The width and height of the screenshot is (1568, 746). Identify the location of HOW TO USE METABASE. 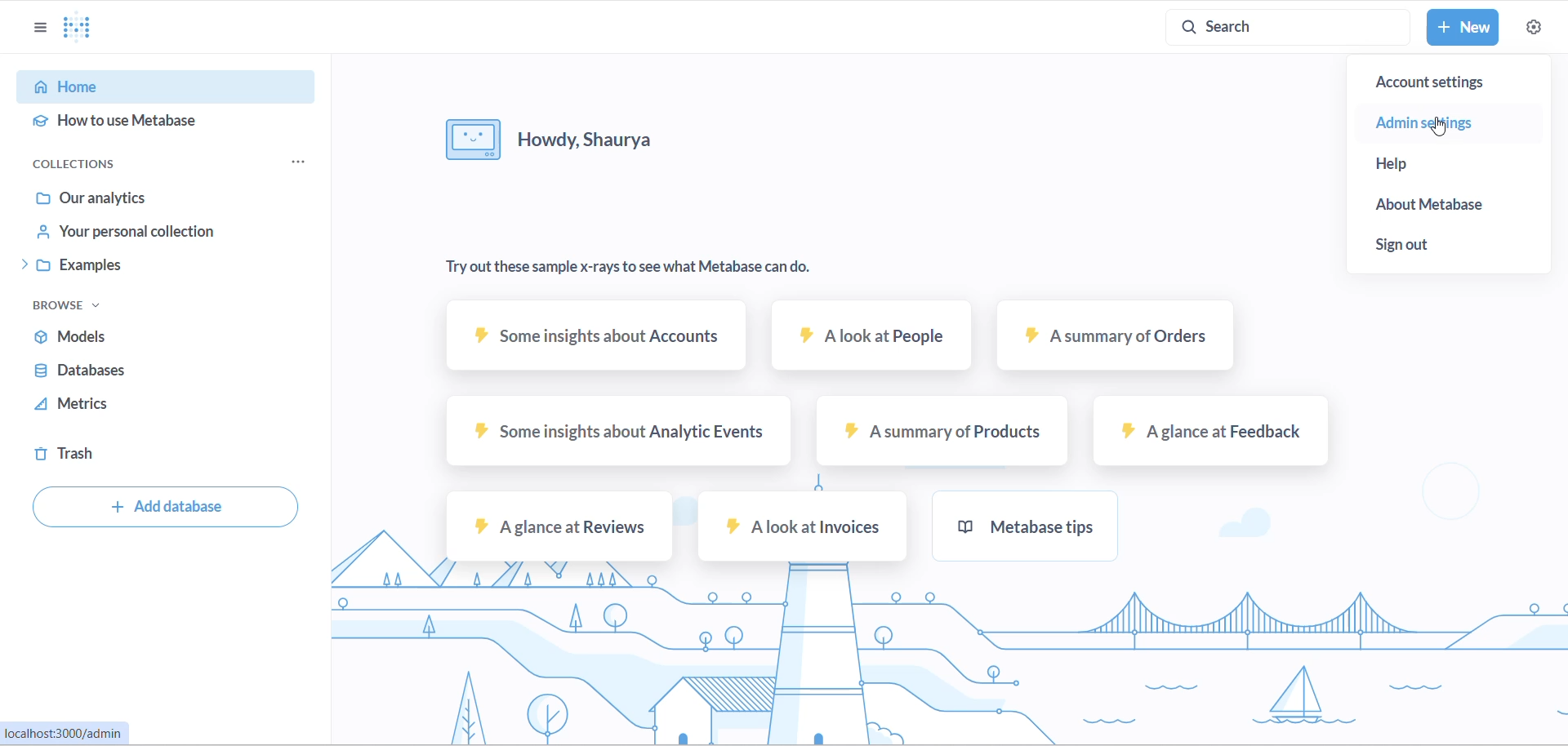
(140, 122).